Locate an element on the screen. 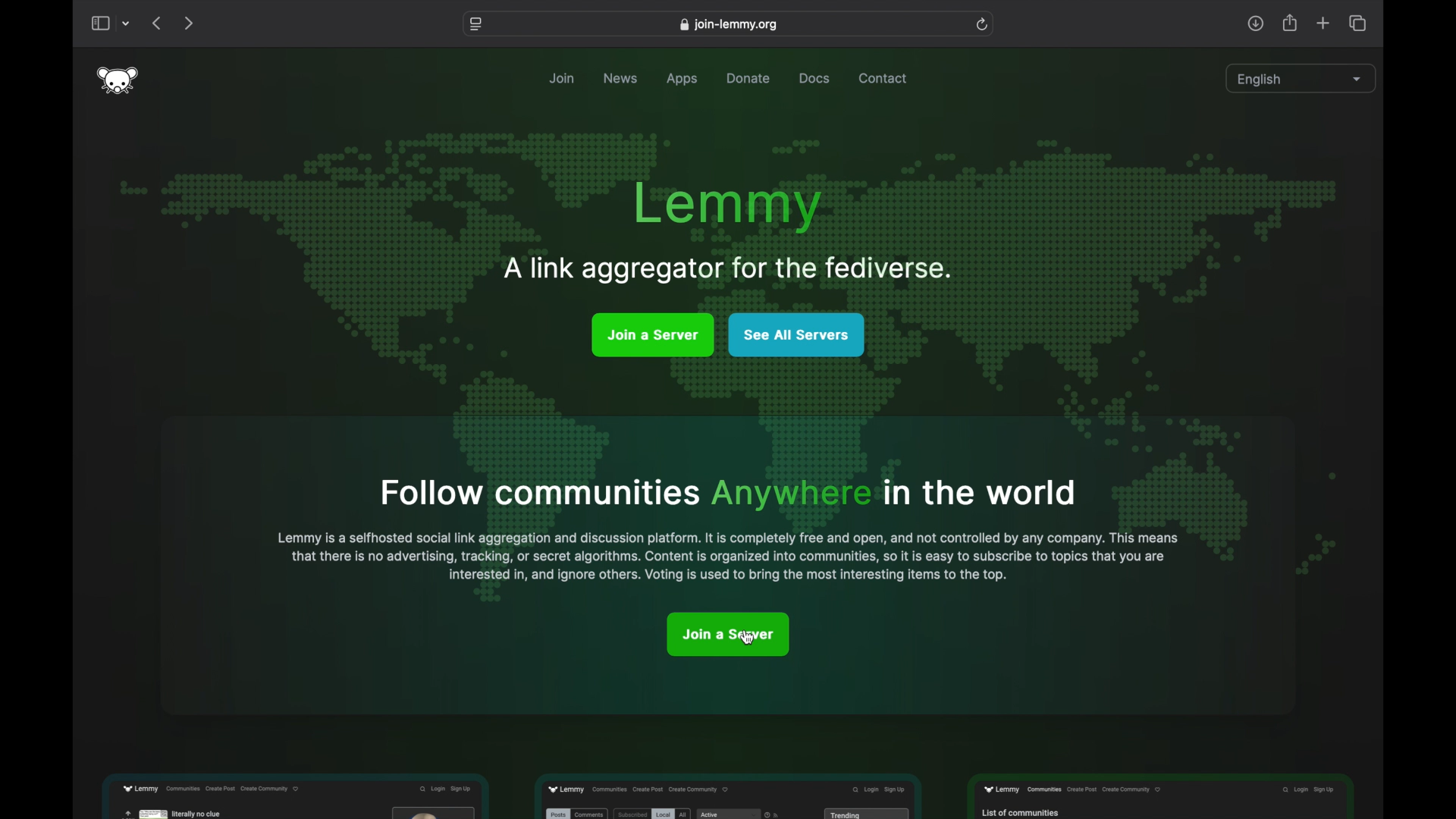 This screenshot has width=1456, height=819. new tab is located at coordinates (1324, 23).